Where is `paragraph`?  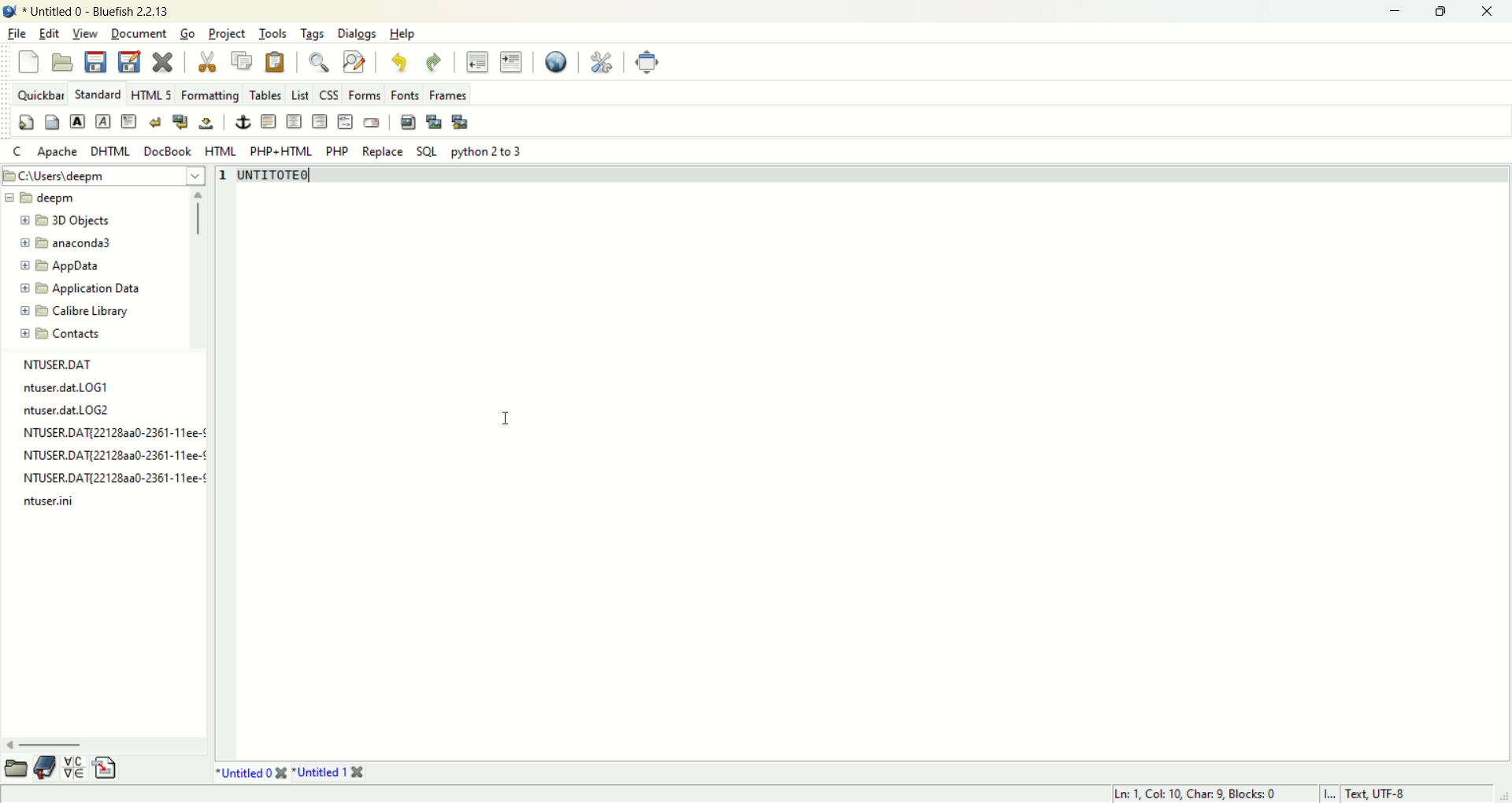 paragraph is located at coordinates (130, 121).